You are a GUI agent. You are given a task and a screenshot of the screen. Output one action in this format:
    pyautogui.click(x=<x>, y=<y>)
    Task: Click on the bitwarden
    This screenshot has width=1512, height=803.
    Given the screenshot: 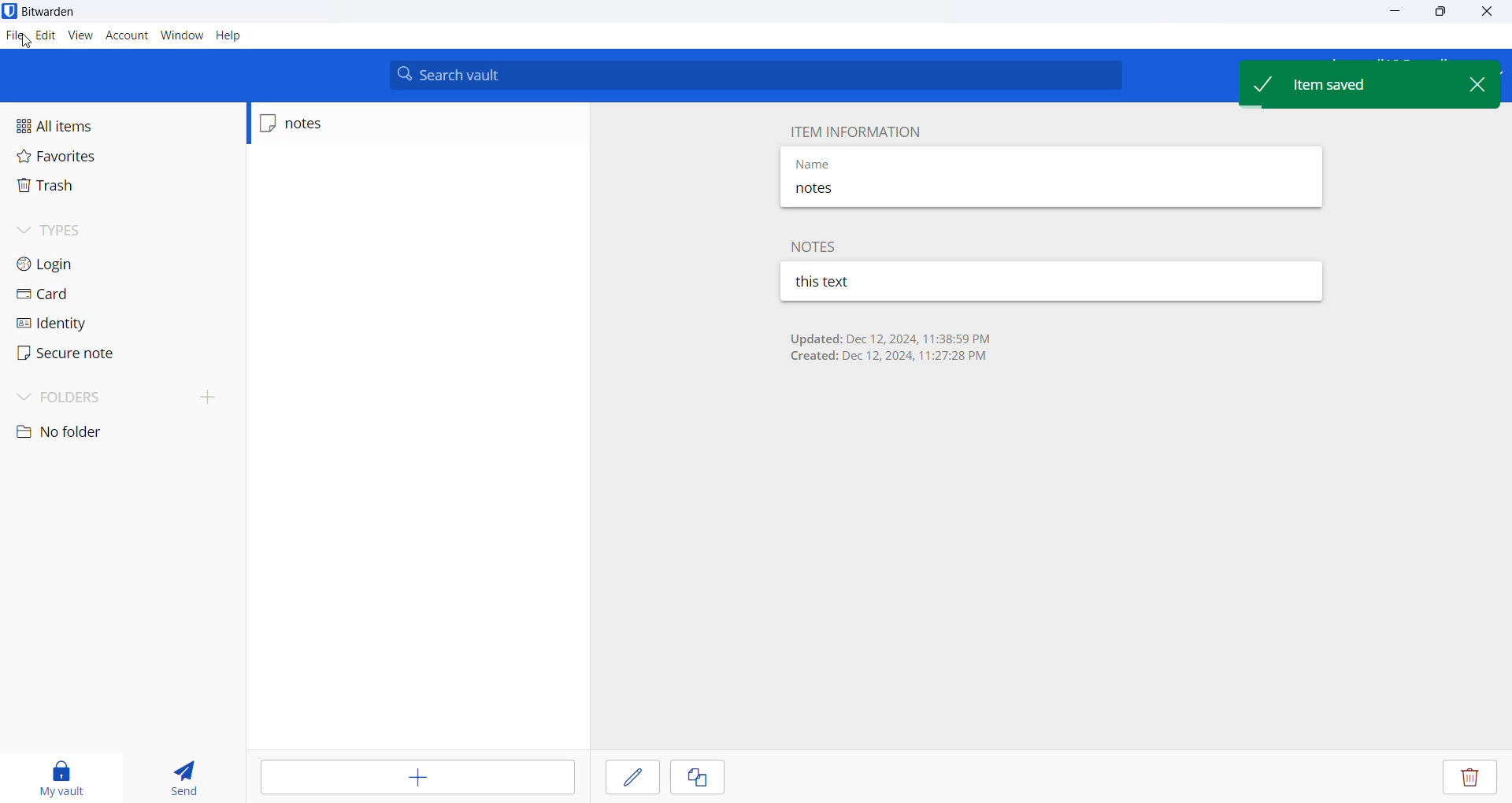 What is the action you would take?
    pyautogui.click(x=46, y=11)
    